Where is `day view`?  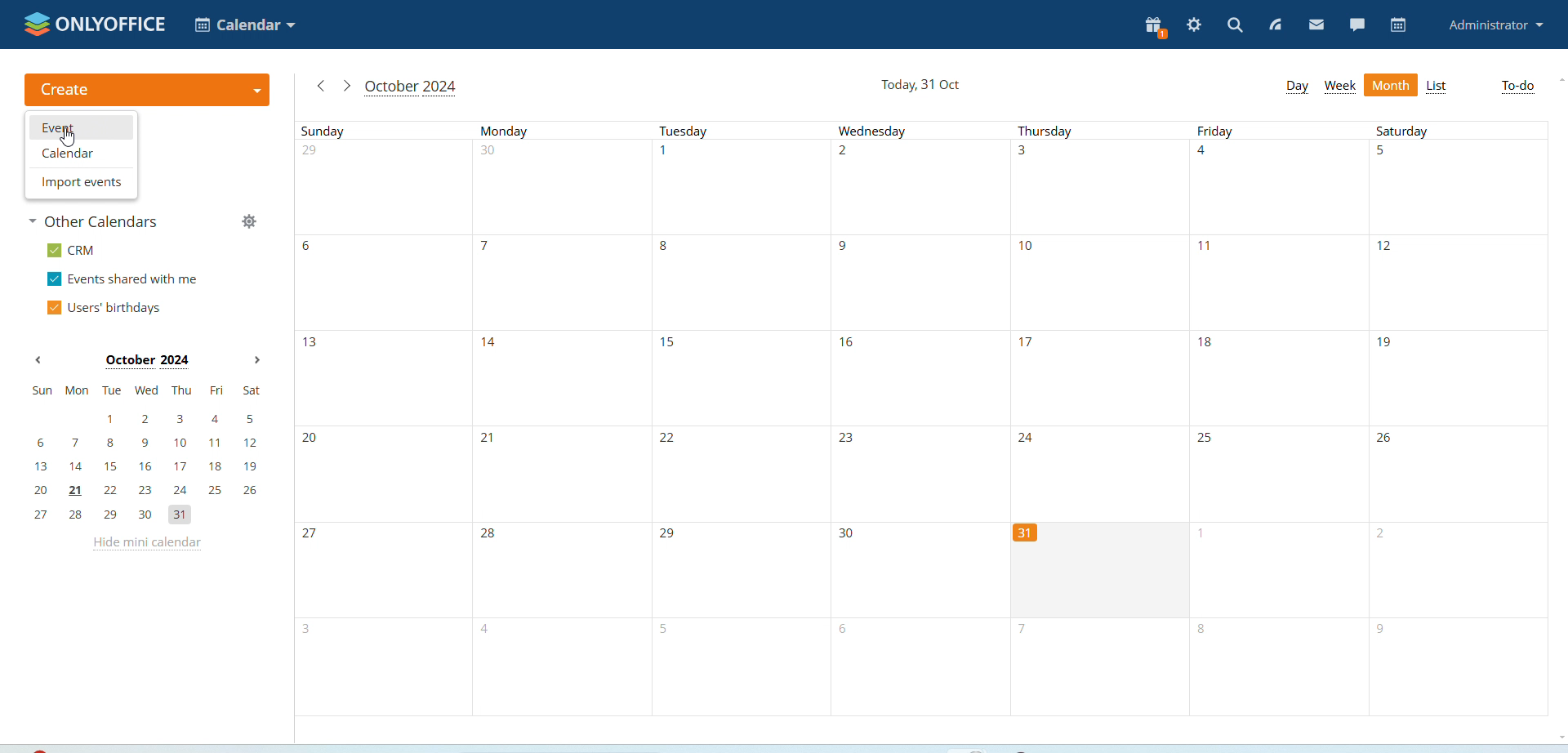 day view is located at coordinates (1296, 86).